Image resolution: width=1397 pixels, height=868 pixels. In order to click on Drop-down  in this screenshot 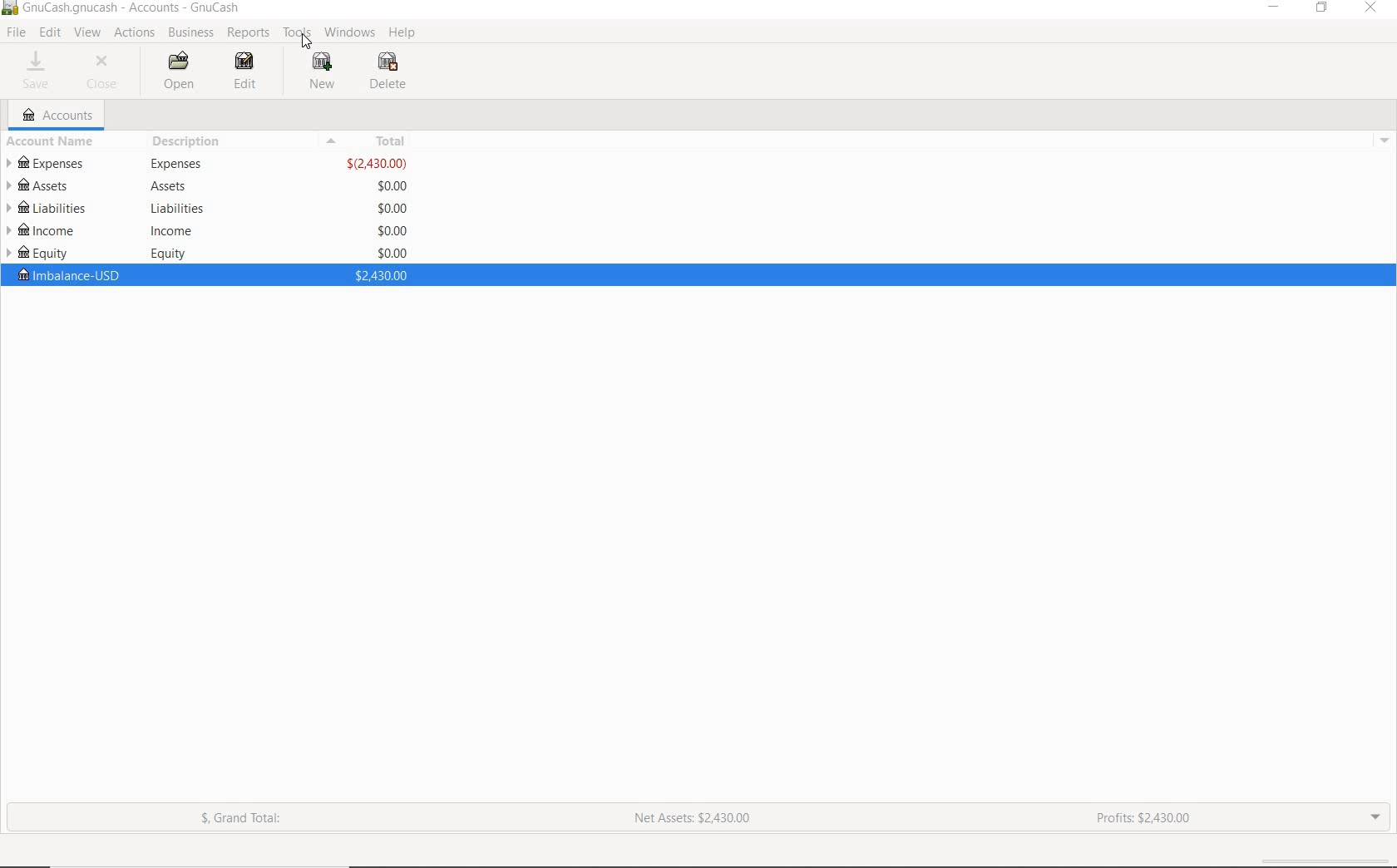, I will do `click(1386, 140)`.